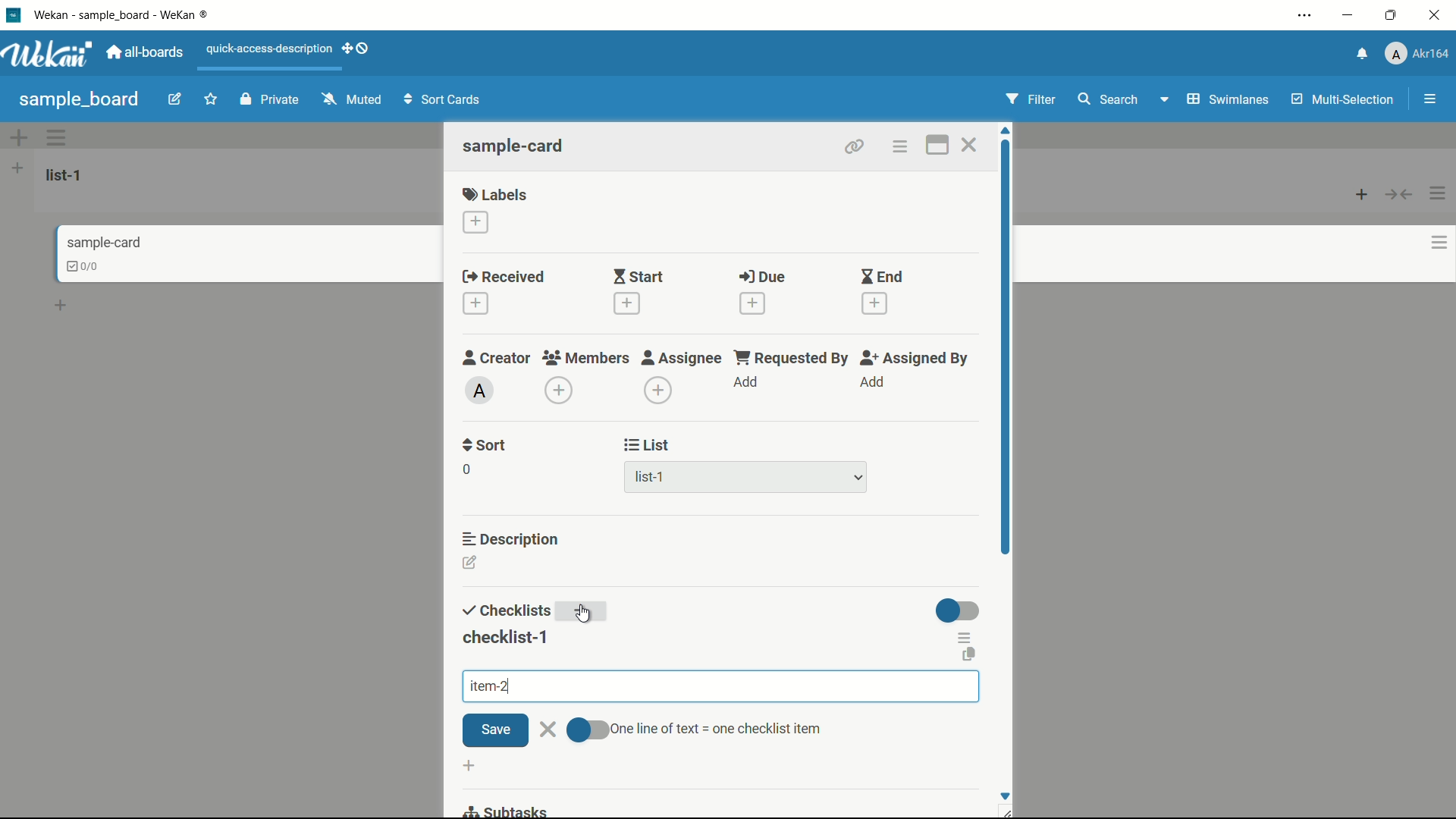 The width and height of the screenshot is (1456, 819). Describe the element at coordinates (79, 99) in the screenshot. I see `board name` at that location.